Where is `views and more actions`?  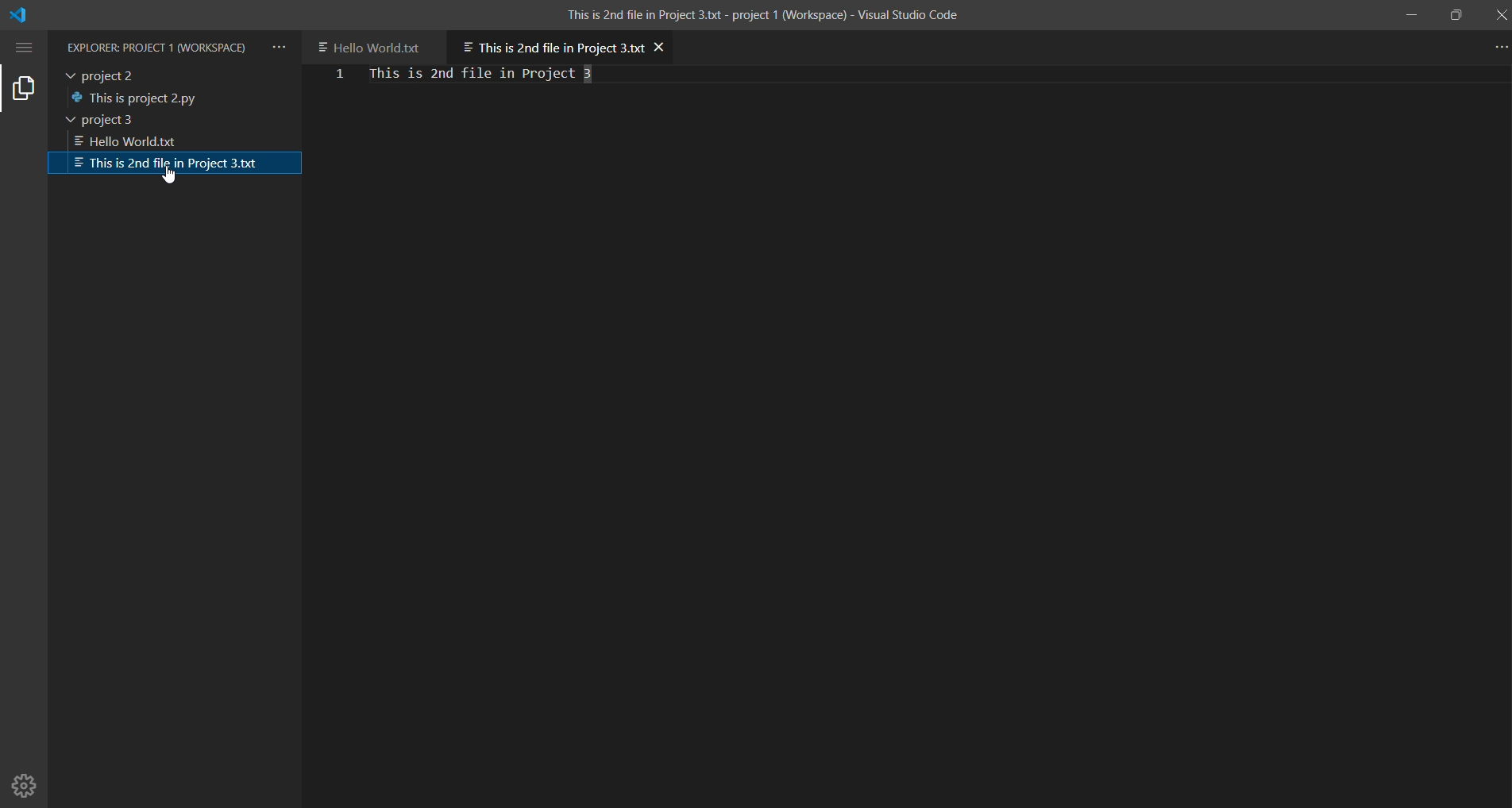 views and more actions is located at coordinates (279, 48).